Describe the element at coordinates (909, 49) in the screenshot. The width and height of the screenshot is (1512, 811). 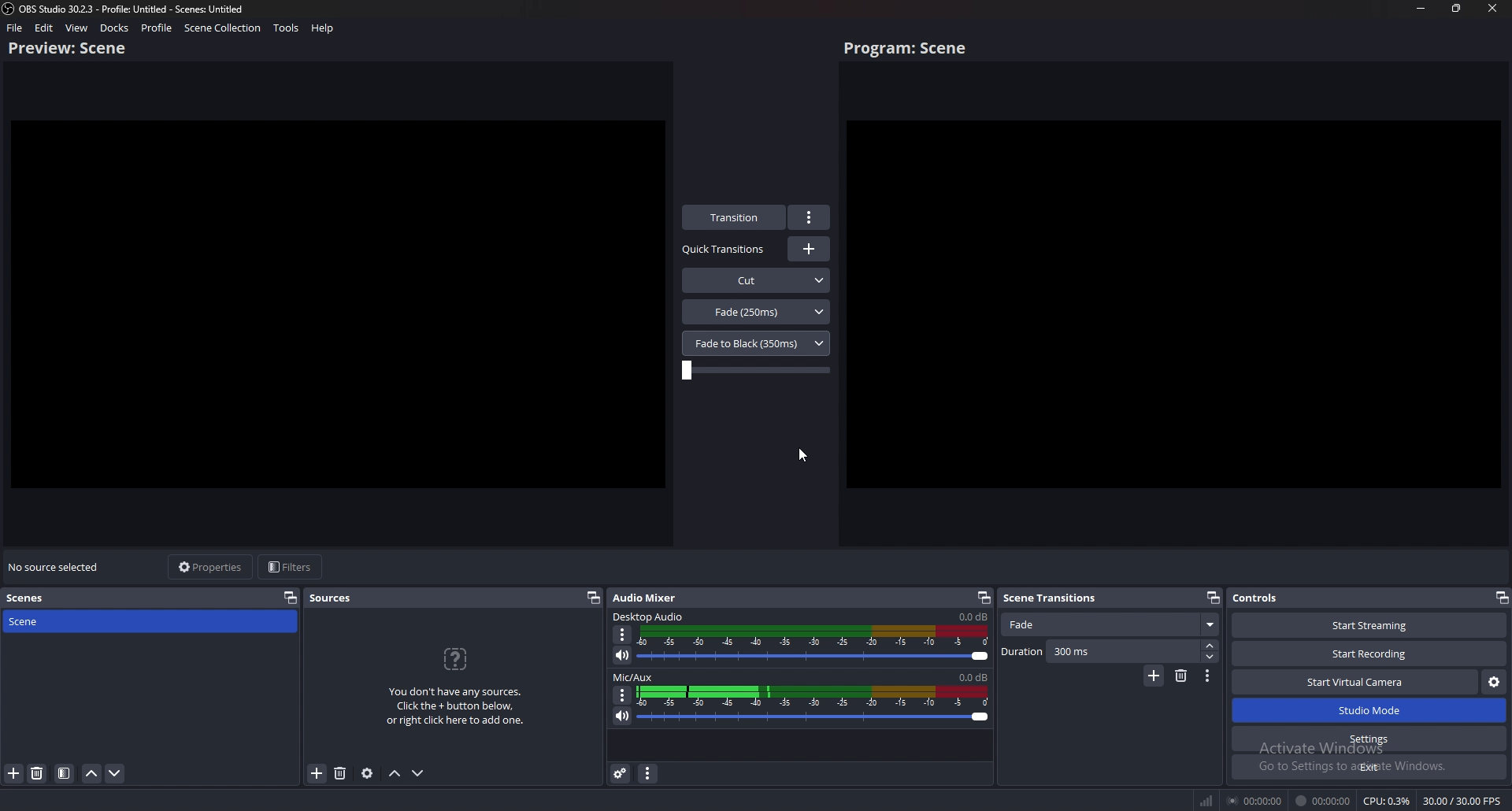
I see `program scene` at that location.